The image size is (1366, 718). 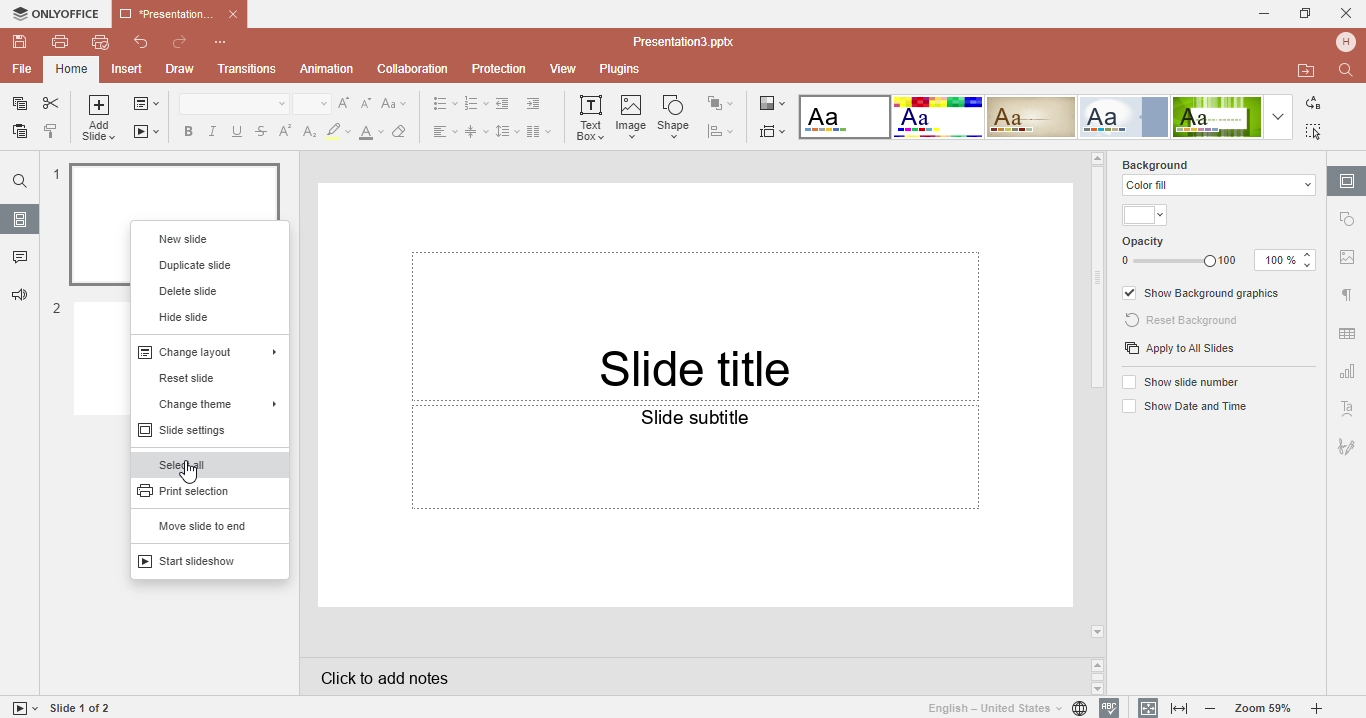 I want to click on Select slide size, so click(x=774, y=130).